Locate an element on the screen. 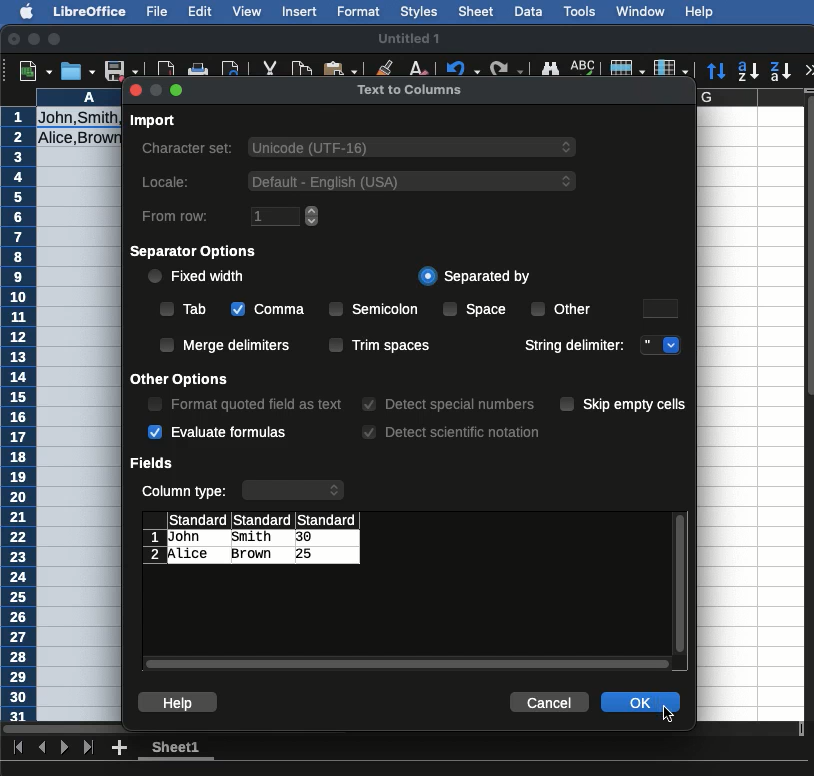 Image resolution: width=814 pixels, height=776 pixels. minimize is located at coordinates (155, 90).